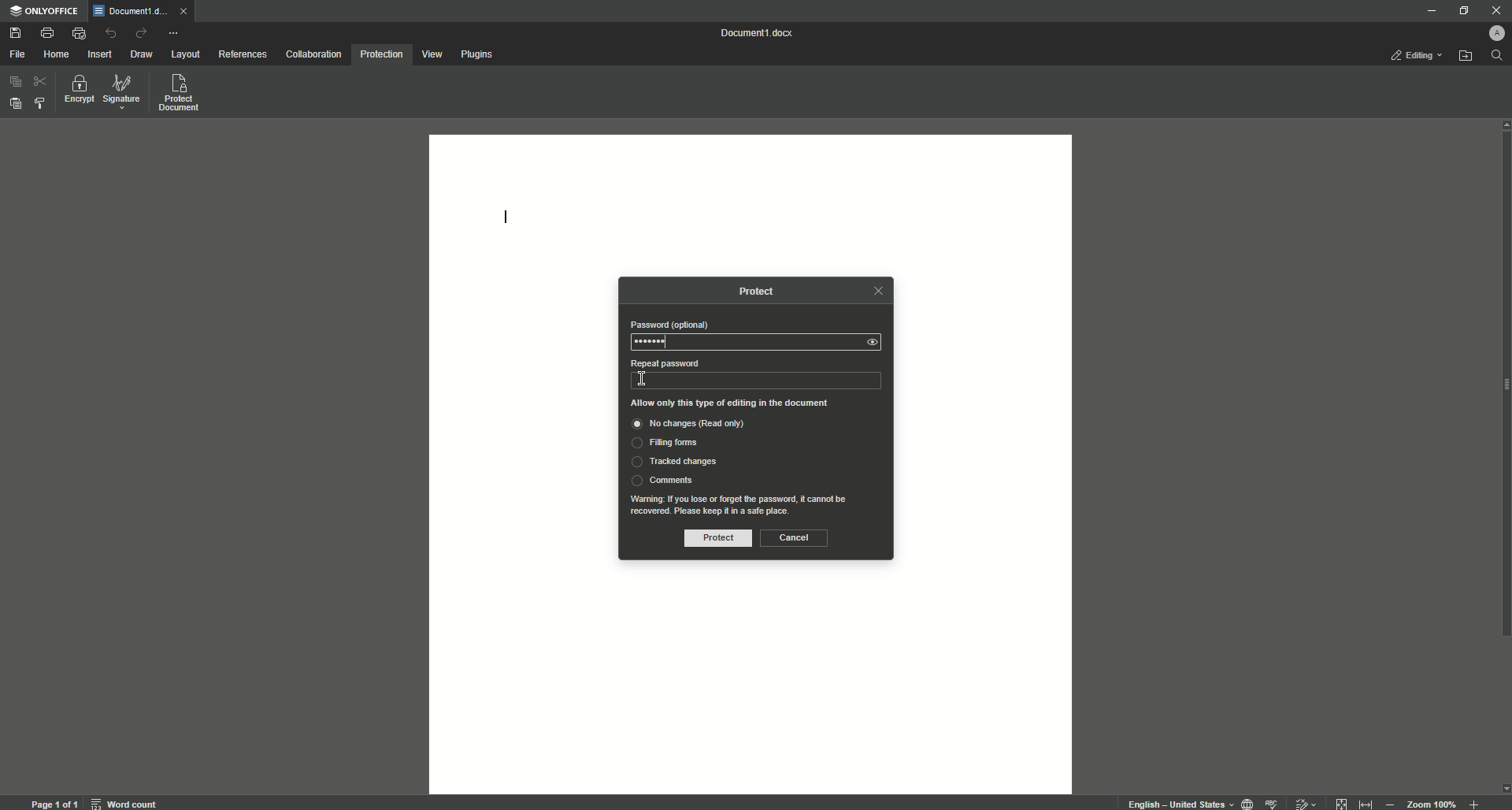 The width and height of the screenshot is (1512, 810). Describe the element at coordinates (1503, 422) in the screenshot. I see `Scroll` at that location.